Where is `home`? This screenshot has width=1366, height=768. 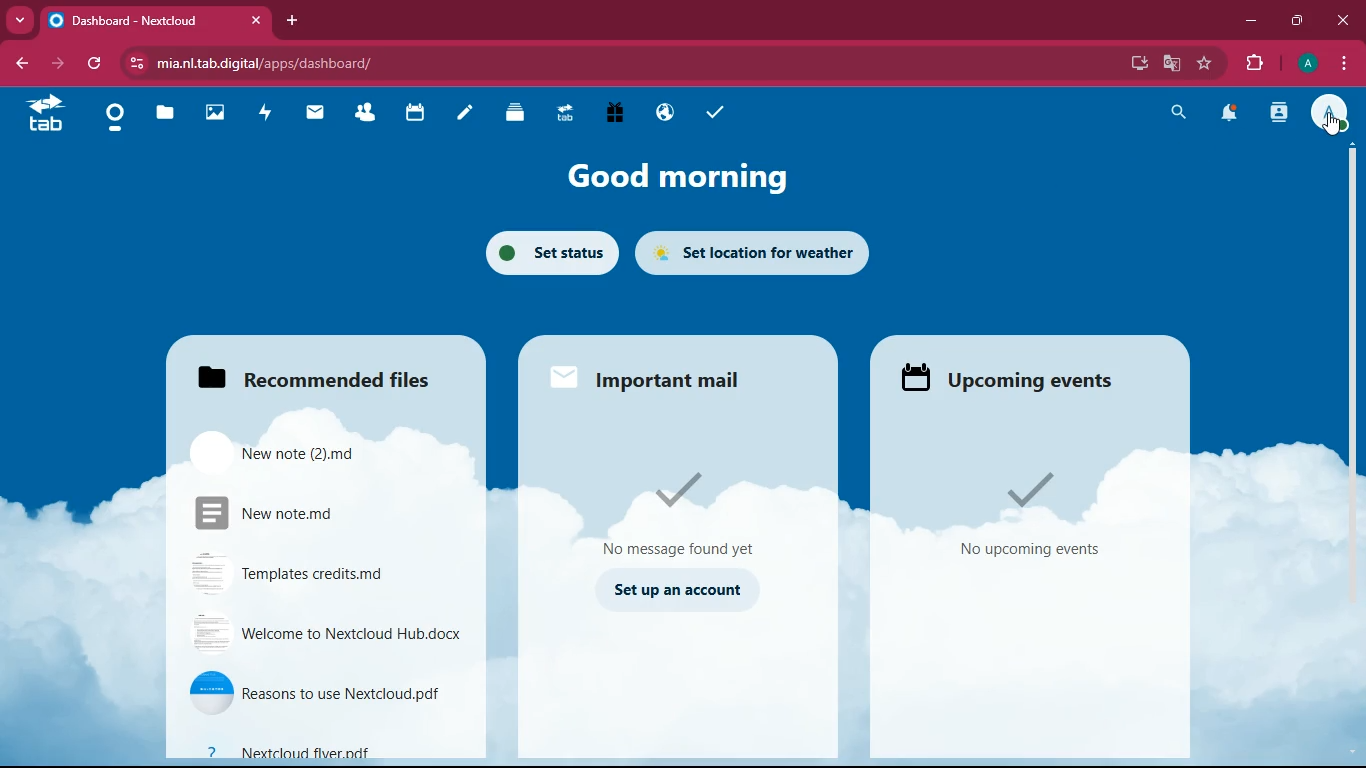
home is located at coordinates (114, 117).